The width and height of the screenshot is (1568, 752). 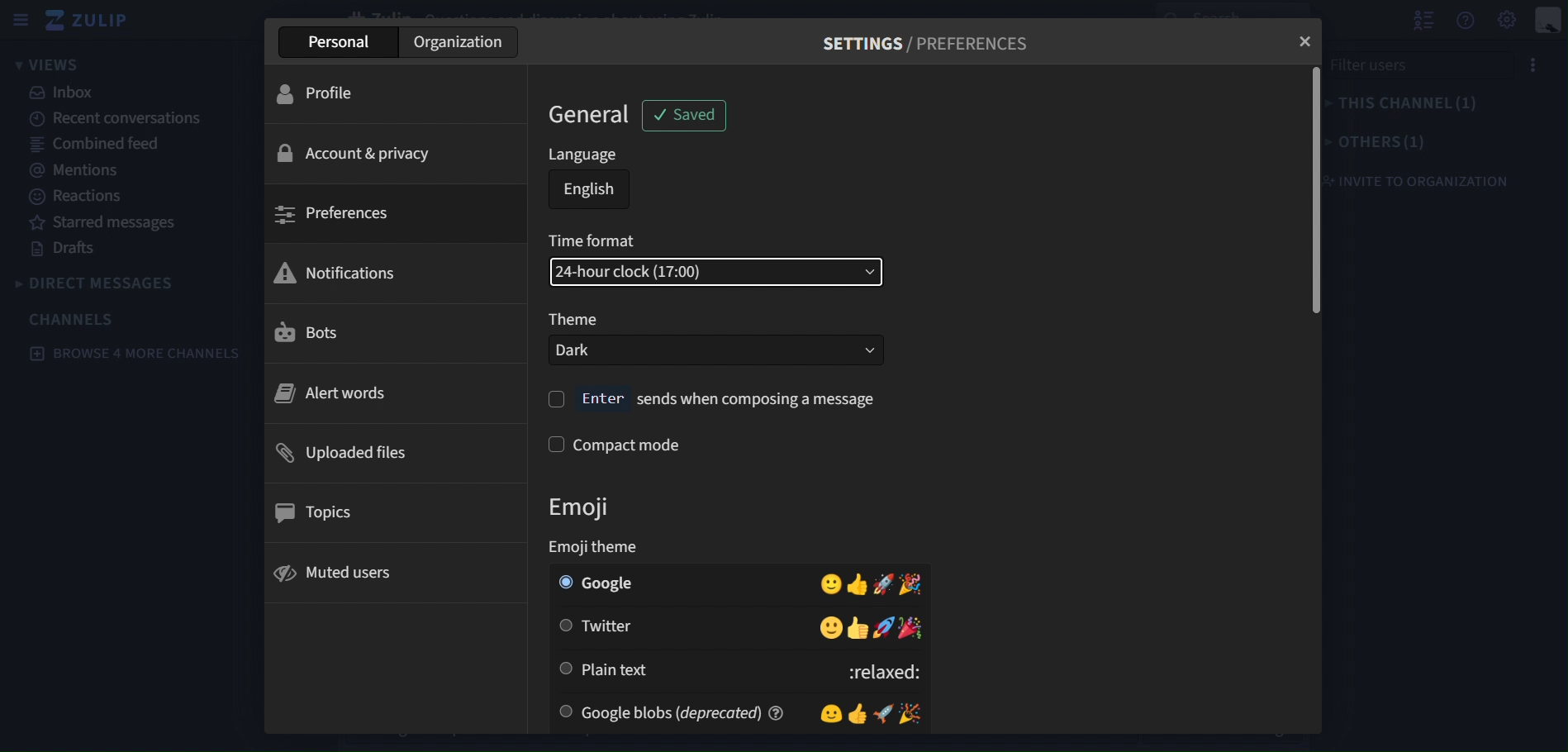 What do you see at coordinates (683, 117) in the screenshot?
I see `saved` at bounding box center [683, 117].